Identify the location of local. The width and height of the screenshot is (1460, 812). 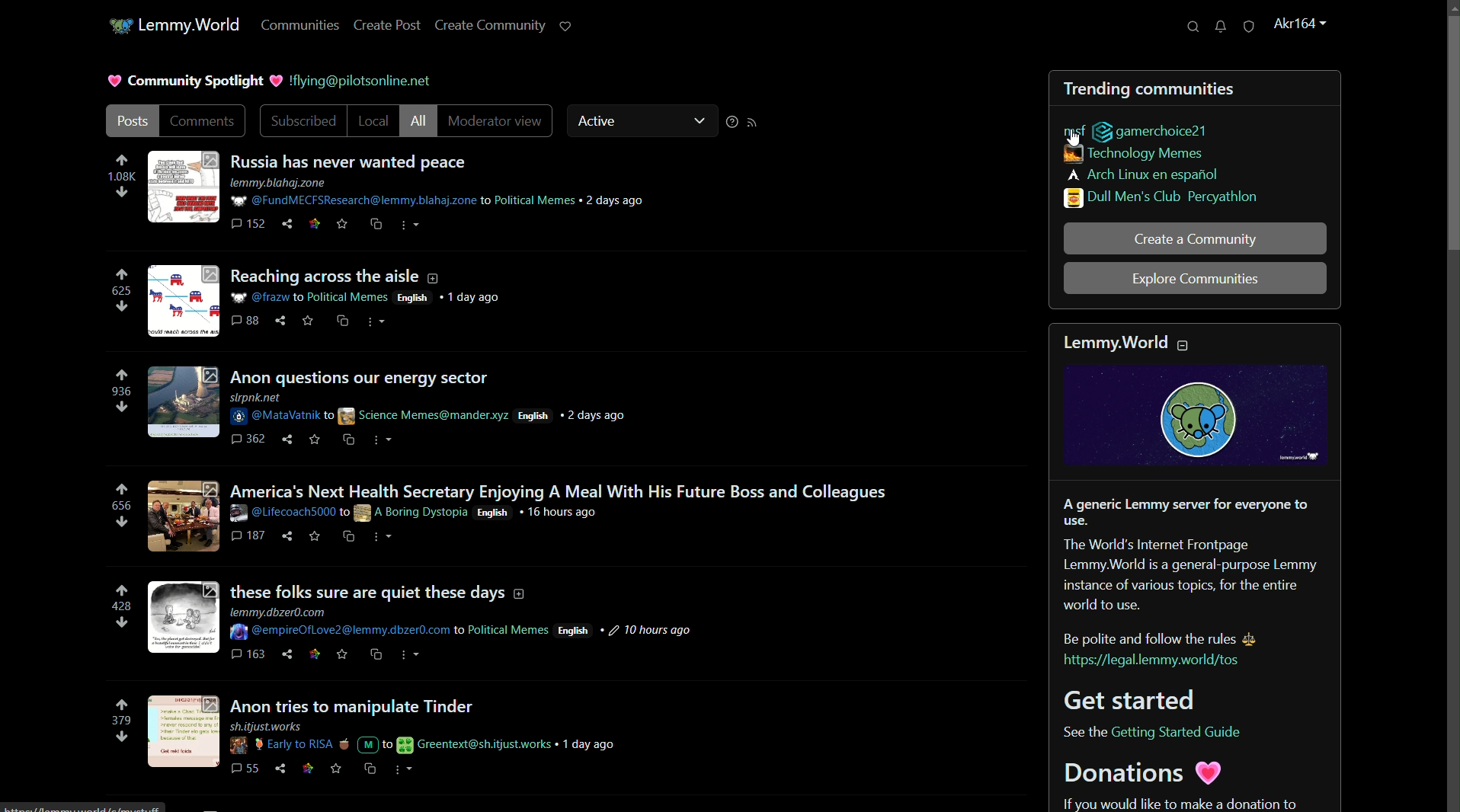
(376, 121).